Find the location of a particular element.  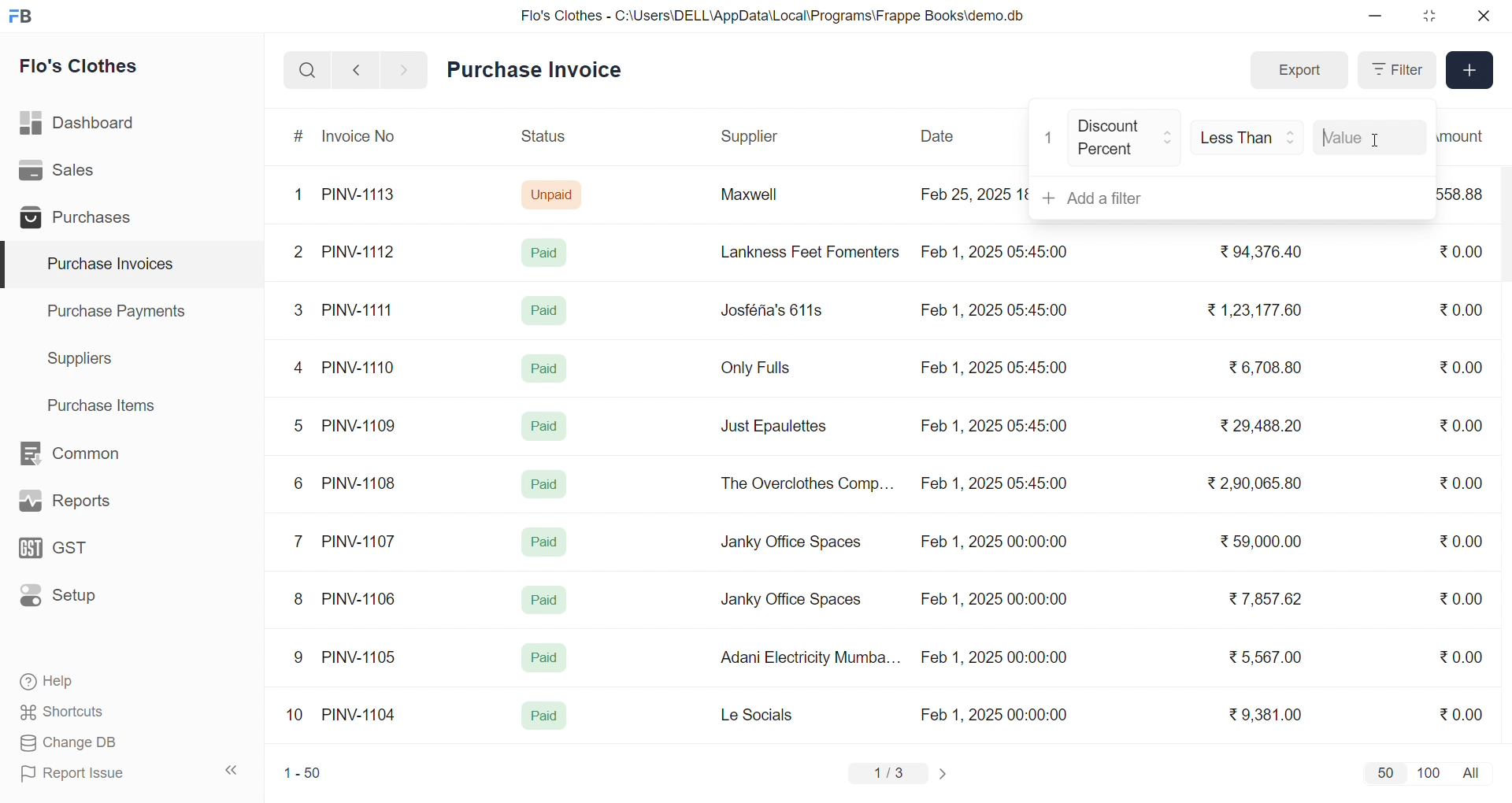

Josféria's 611s is located at coordinates (769, 308).